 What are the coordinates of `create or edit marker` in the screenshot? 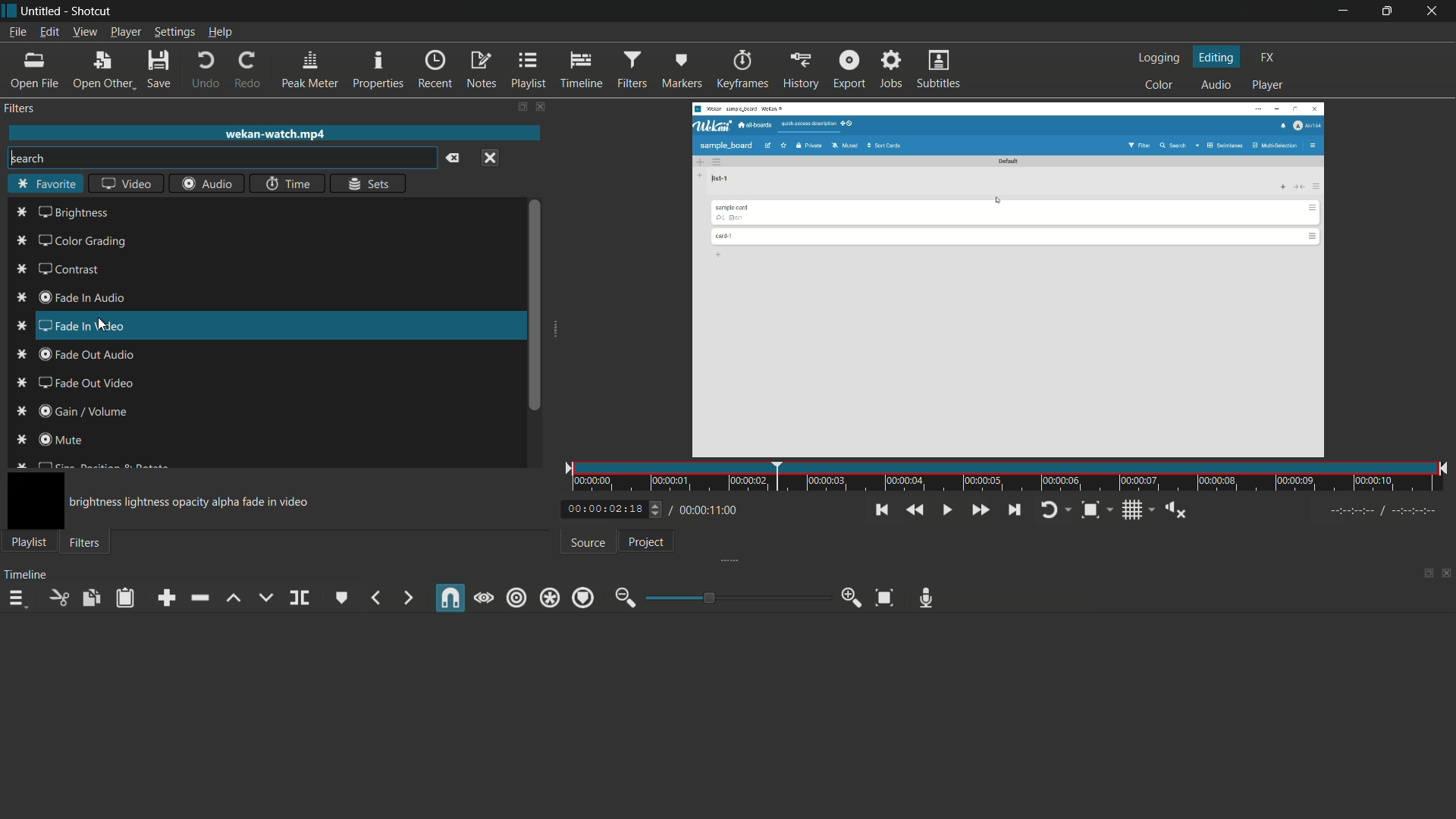 It's located at (342, 598).